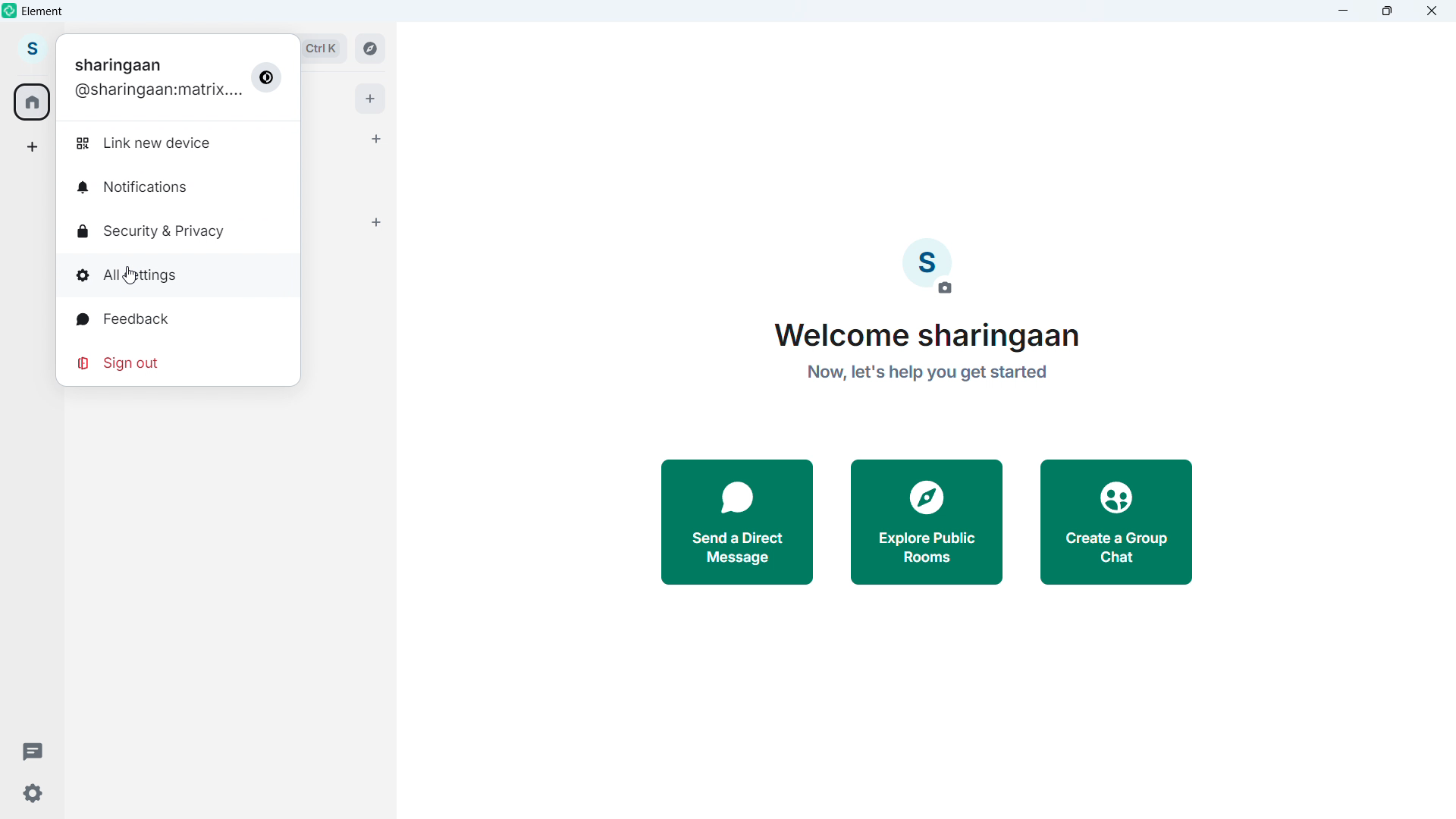 This screenshot has width=1456, height=819. What do you see at coordinates (43, 11) in the screenshot?
I see `Element` at bounding box center [43, 11].